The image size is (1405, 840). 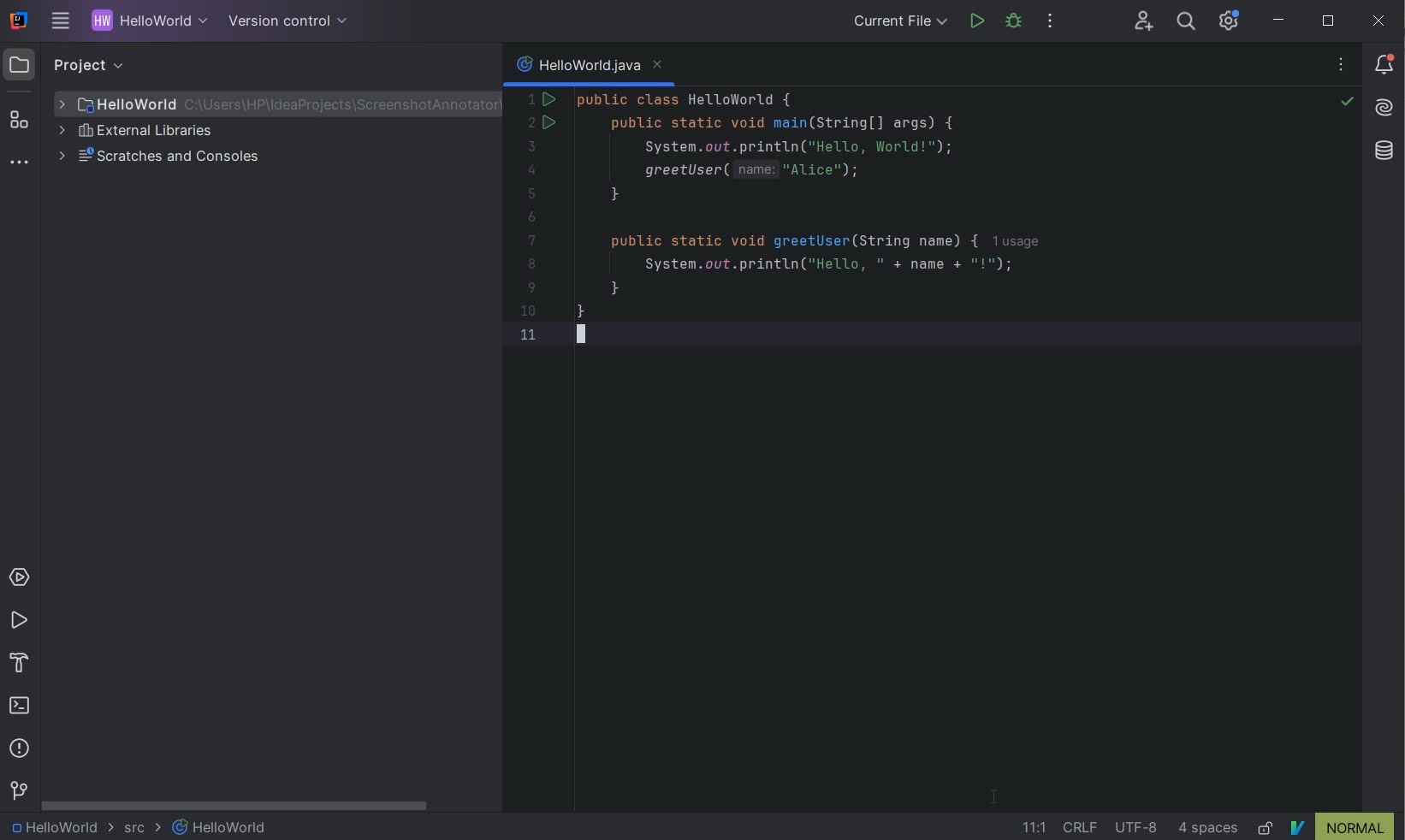 I want to click on CLOSE, so click(x=1379, y=21).